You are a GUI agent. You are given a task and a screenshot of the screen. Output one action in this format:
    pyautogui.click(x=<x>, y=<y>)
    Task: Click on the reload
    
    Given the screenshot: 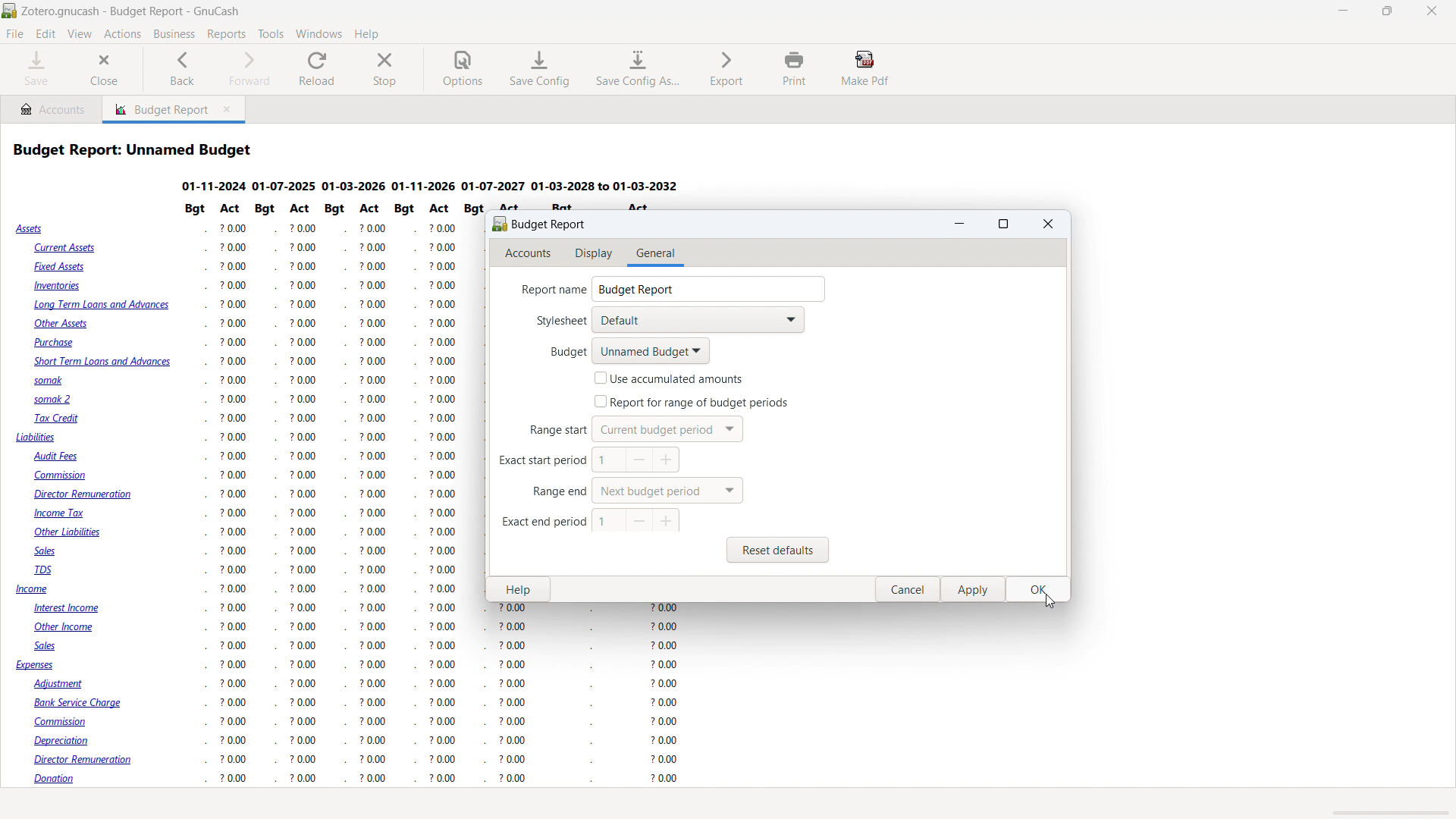 What is the action you would take?
    pyautogui.click(x=318, y=69)
    